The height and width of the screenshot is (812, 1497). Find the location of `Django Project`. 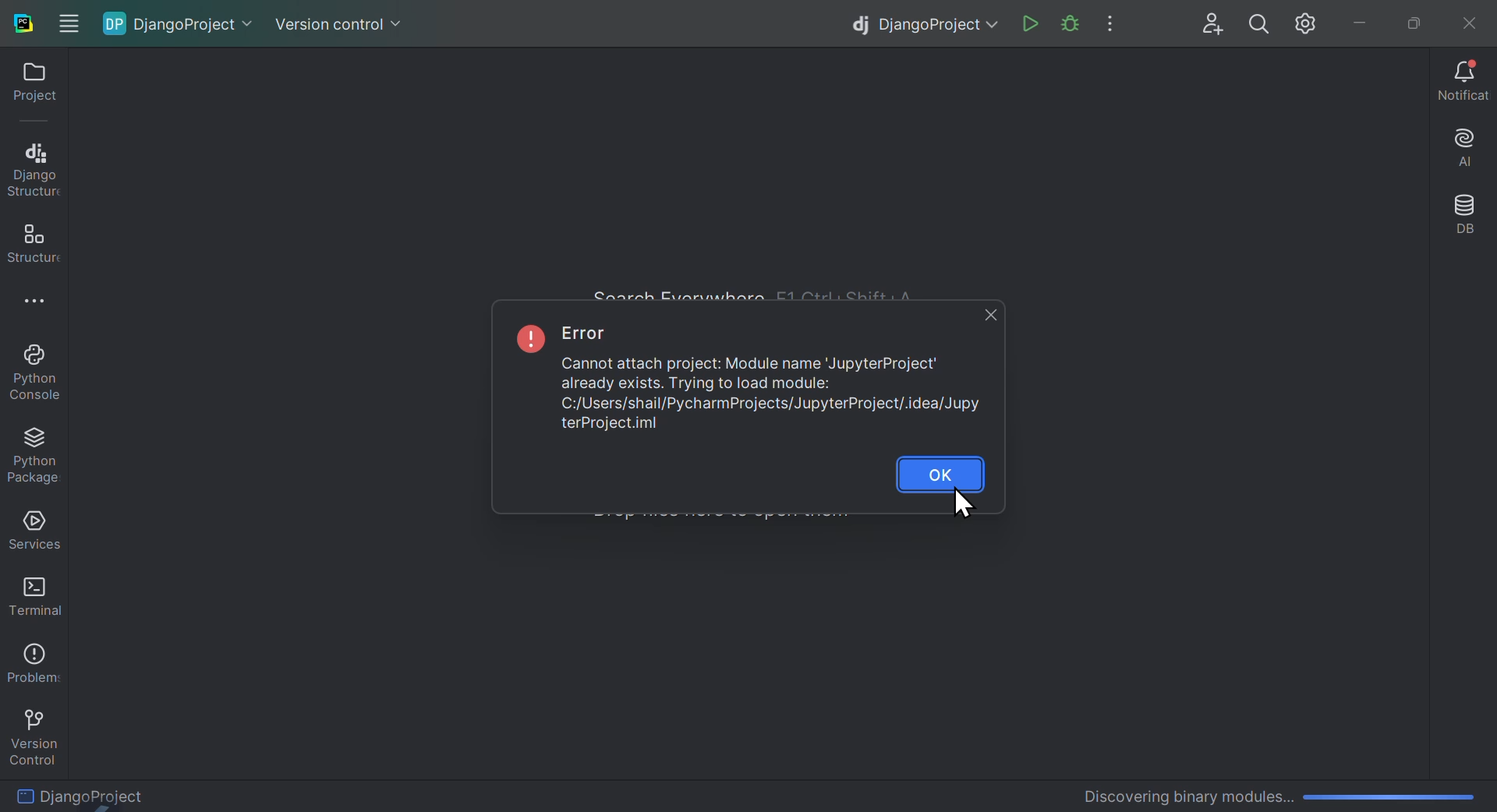

Django Project is located at coordinates (134, 793).